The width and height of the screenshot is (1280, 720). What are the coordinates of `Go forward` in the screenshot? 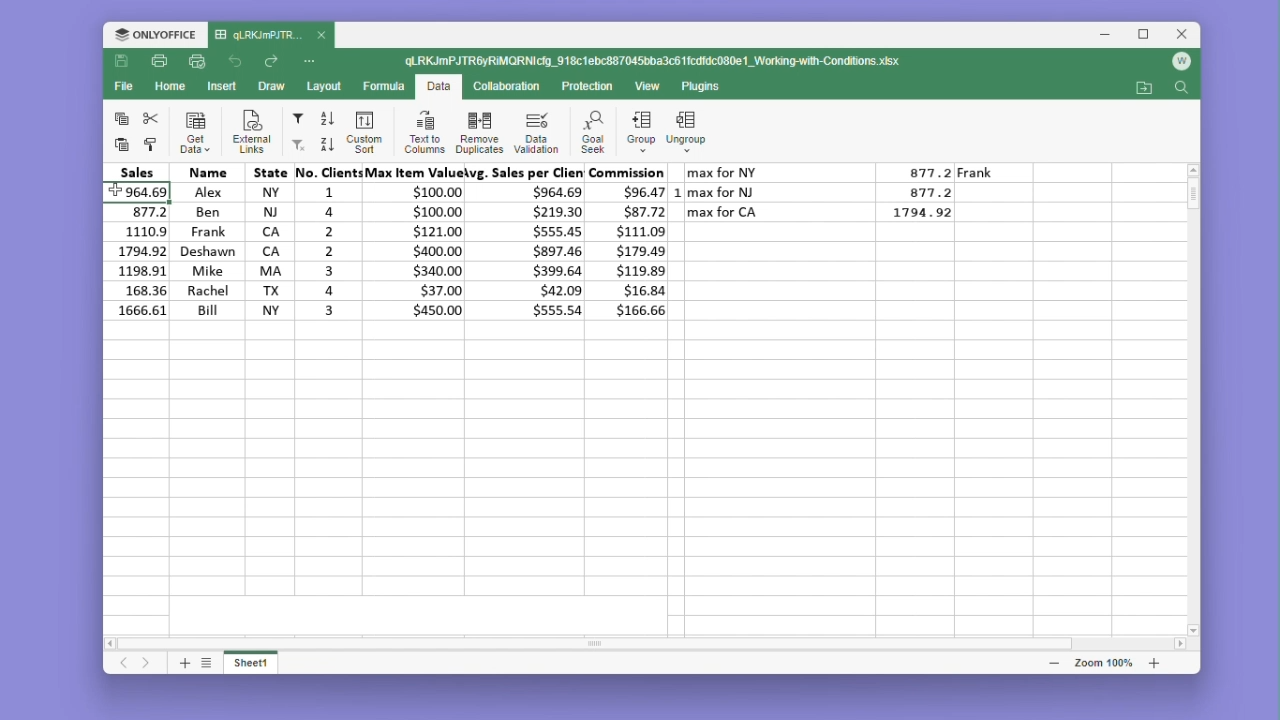 It's located at (271, 62).